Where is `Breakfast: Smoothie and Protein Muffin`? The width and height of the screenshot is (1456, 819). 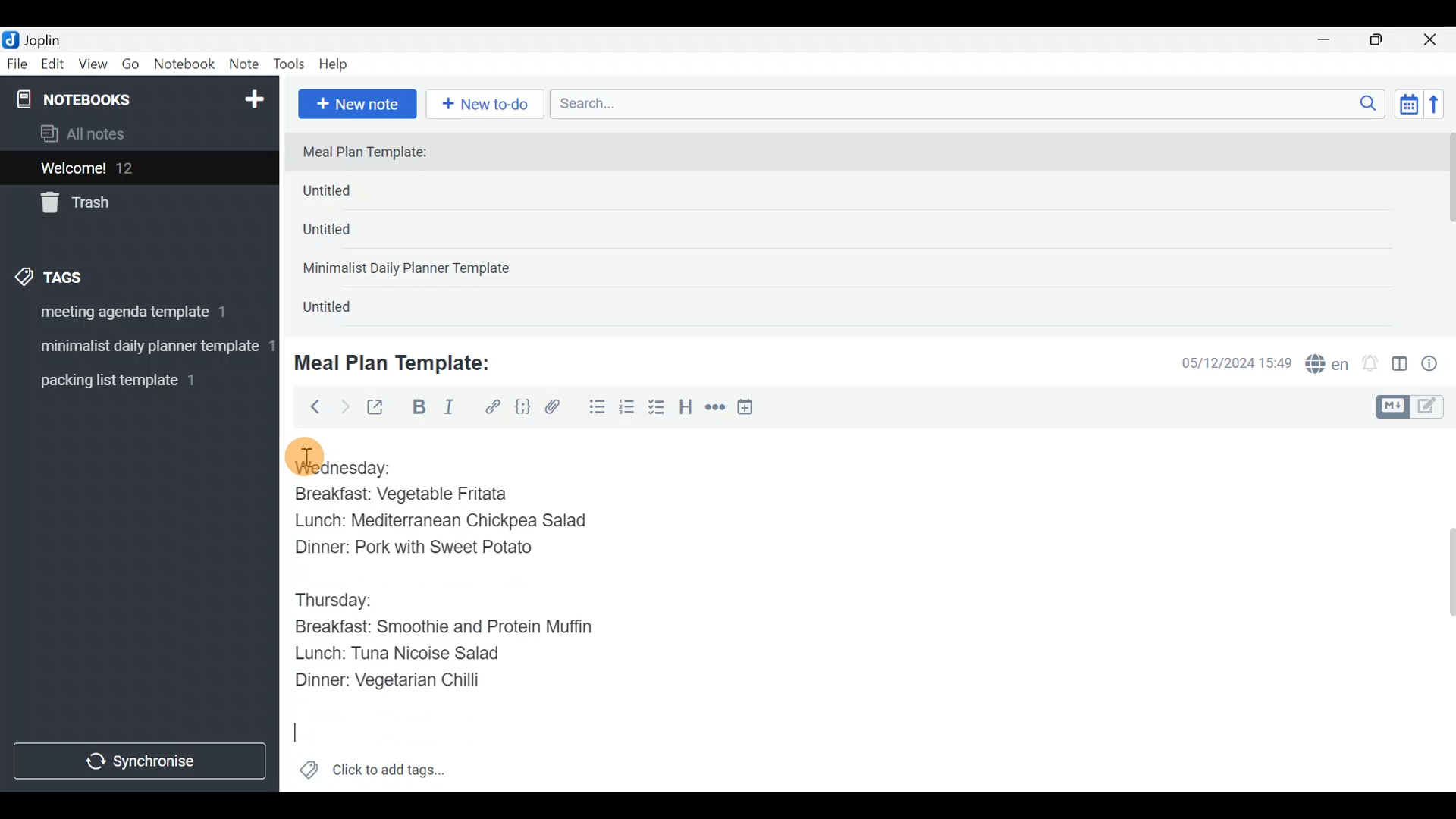 Breakfast: Smoothie and Protein Muffin is located at coordinates (442, 627).